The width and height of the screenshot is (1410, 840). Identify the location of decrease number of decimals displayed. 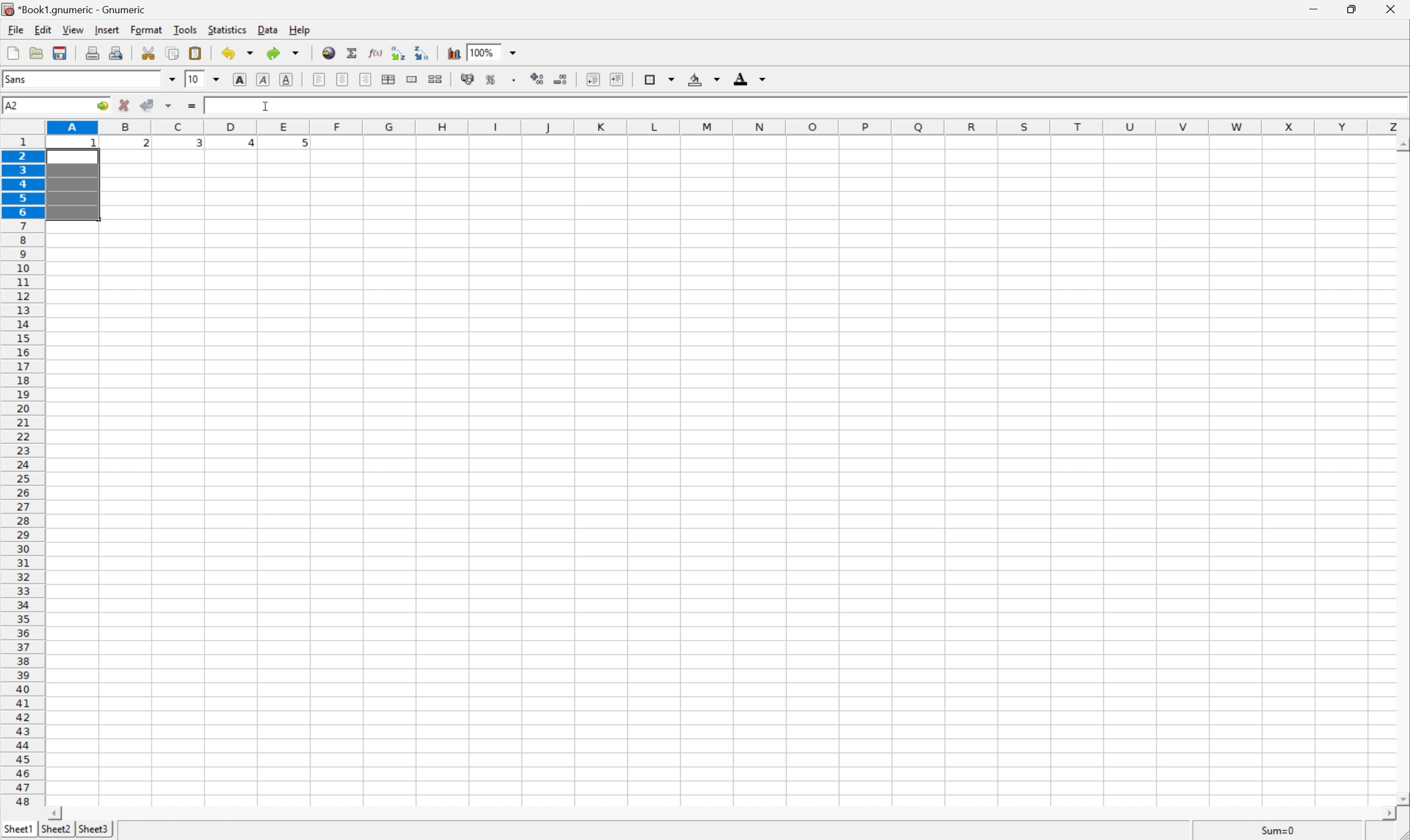
(559, 79).